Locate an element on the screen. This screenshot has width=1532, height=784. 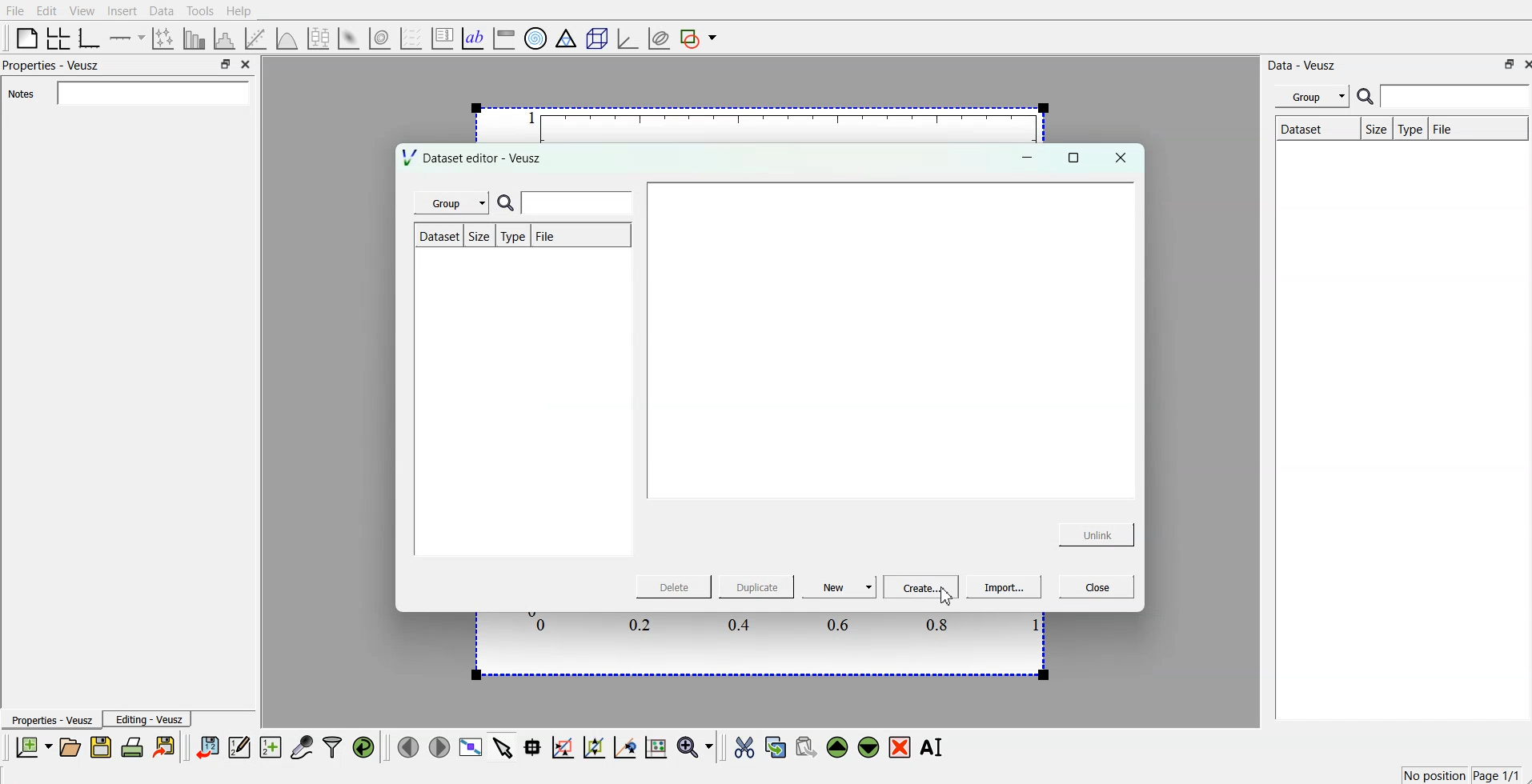
image color bar is located at coordinates (503, 37).